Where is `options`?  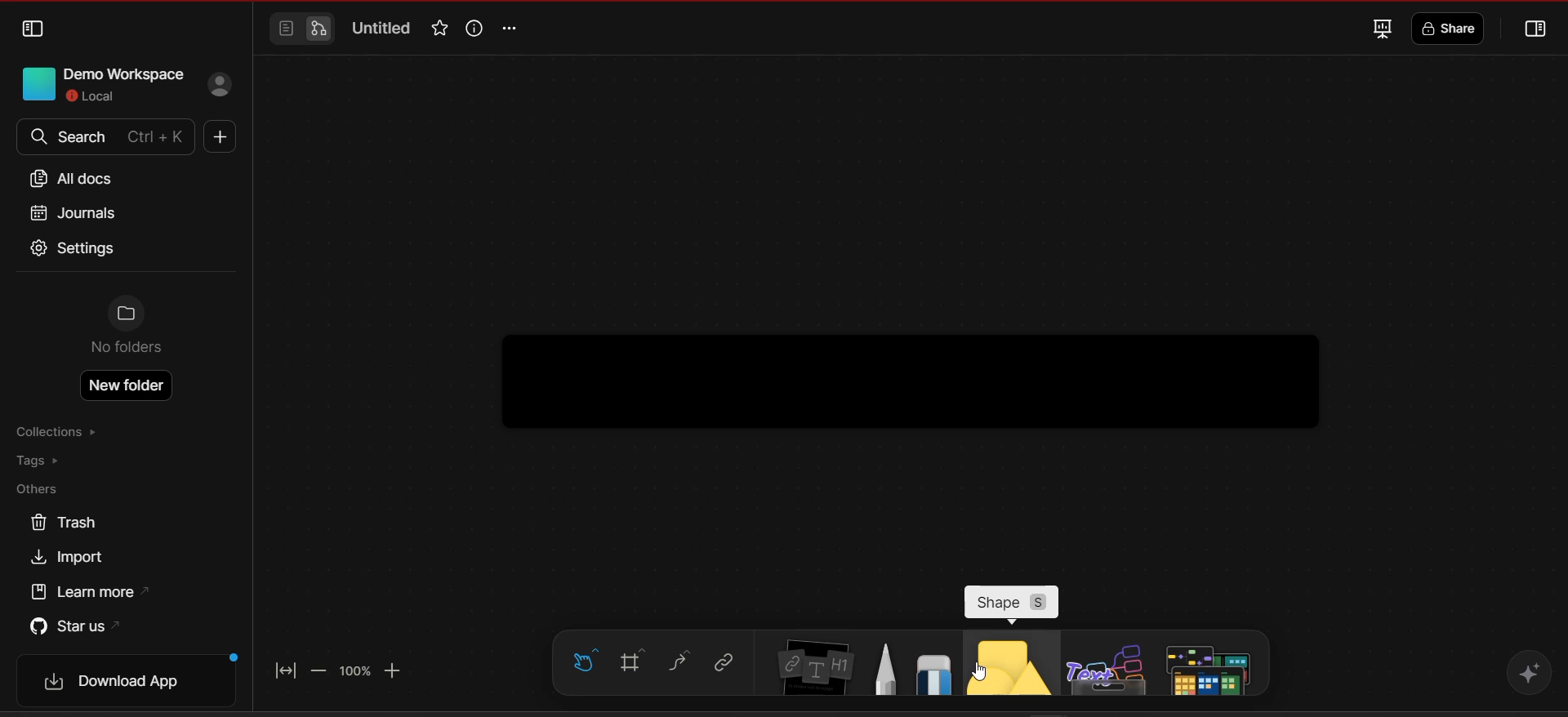
options is located at coordinates (514, 29).